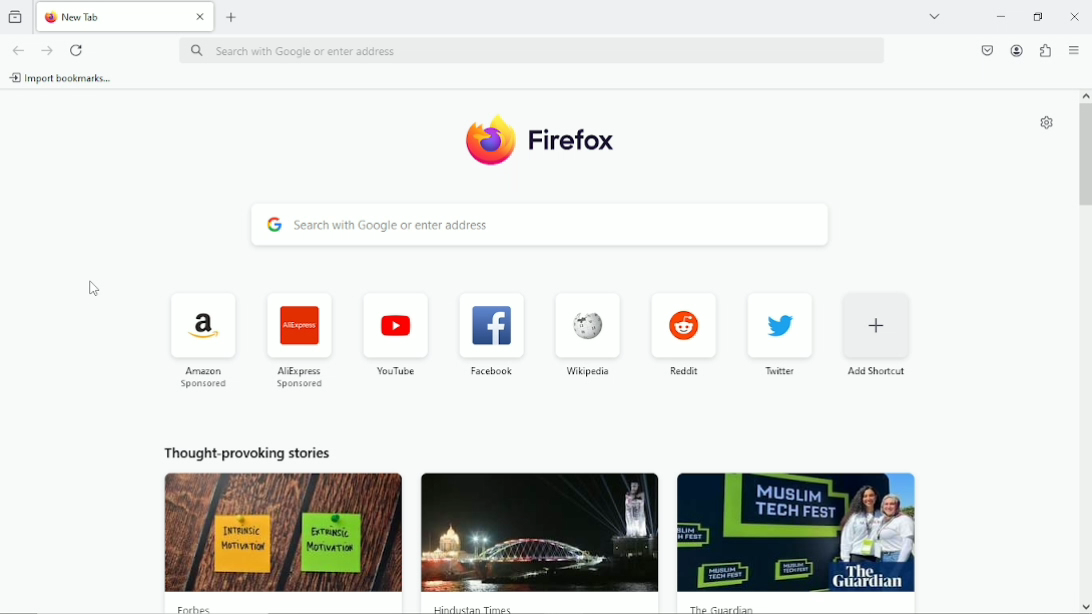 The width and height of the screenshot is (1092, 614). Describe the element at coordinates (110, 15) in the screenshot. I see `New Tab` at that location.